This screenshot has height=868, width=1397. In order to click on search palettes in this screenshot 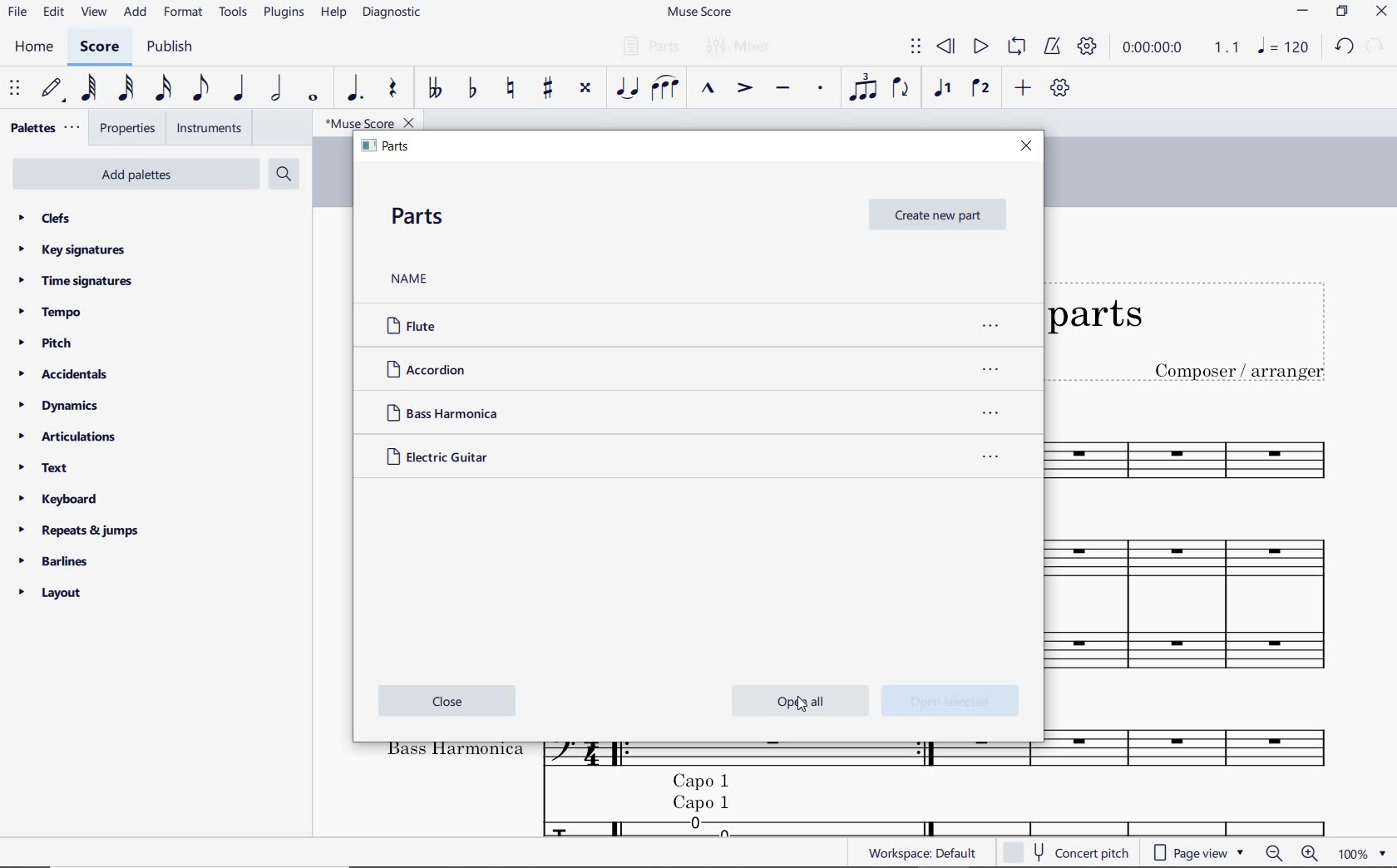, I will do `click(282, 175)`.